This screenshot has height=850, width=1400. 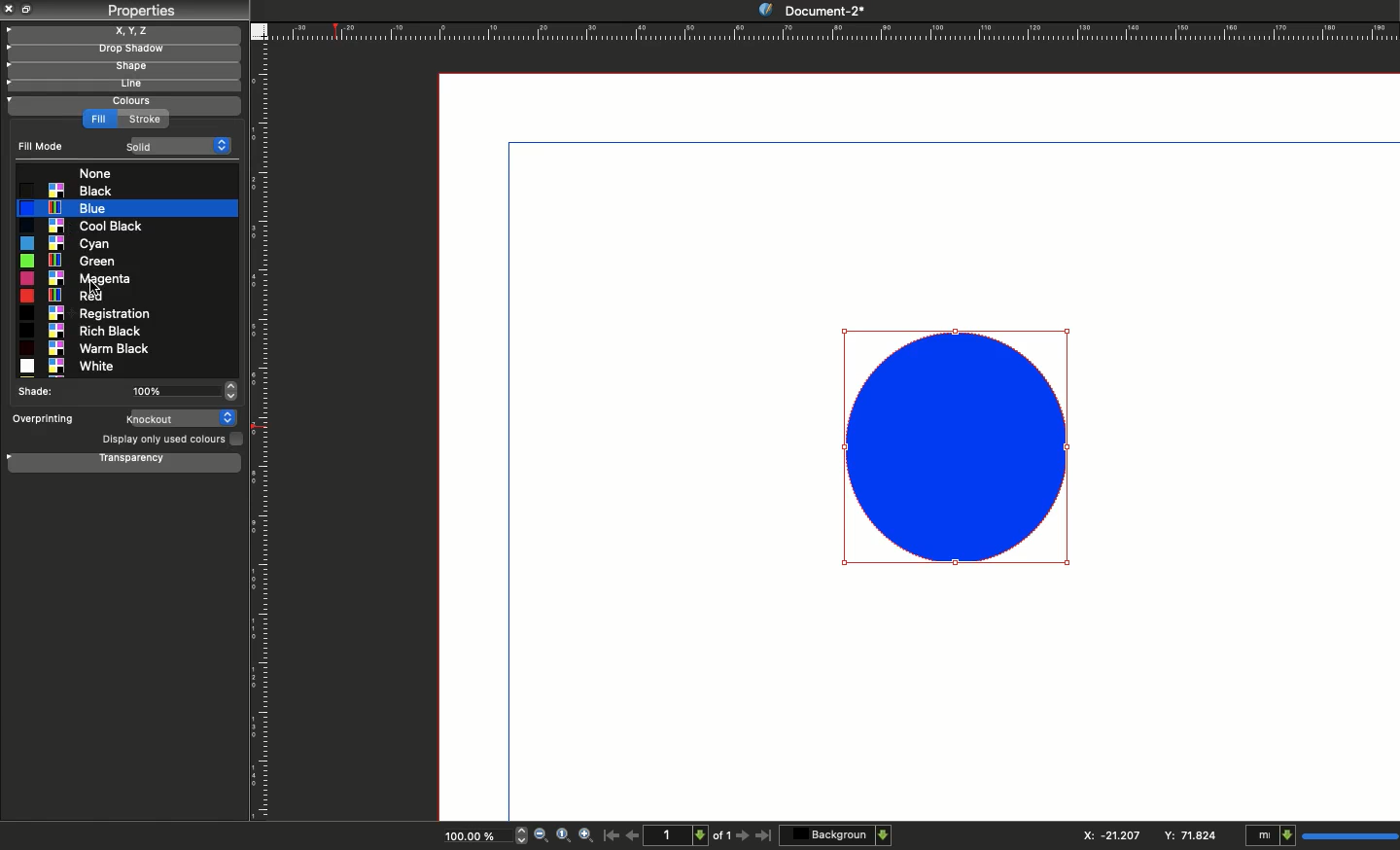 What do you see at coordinates (612, 834) in the screenshot?
I see `First page` at bounding box center [612, 834].